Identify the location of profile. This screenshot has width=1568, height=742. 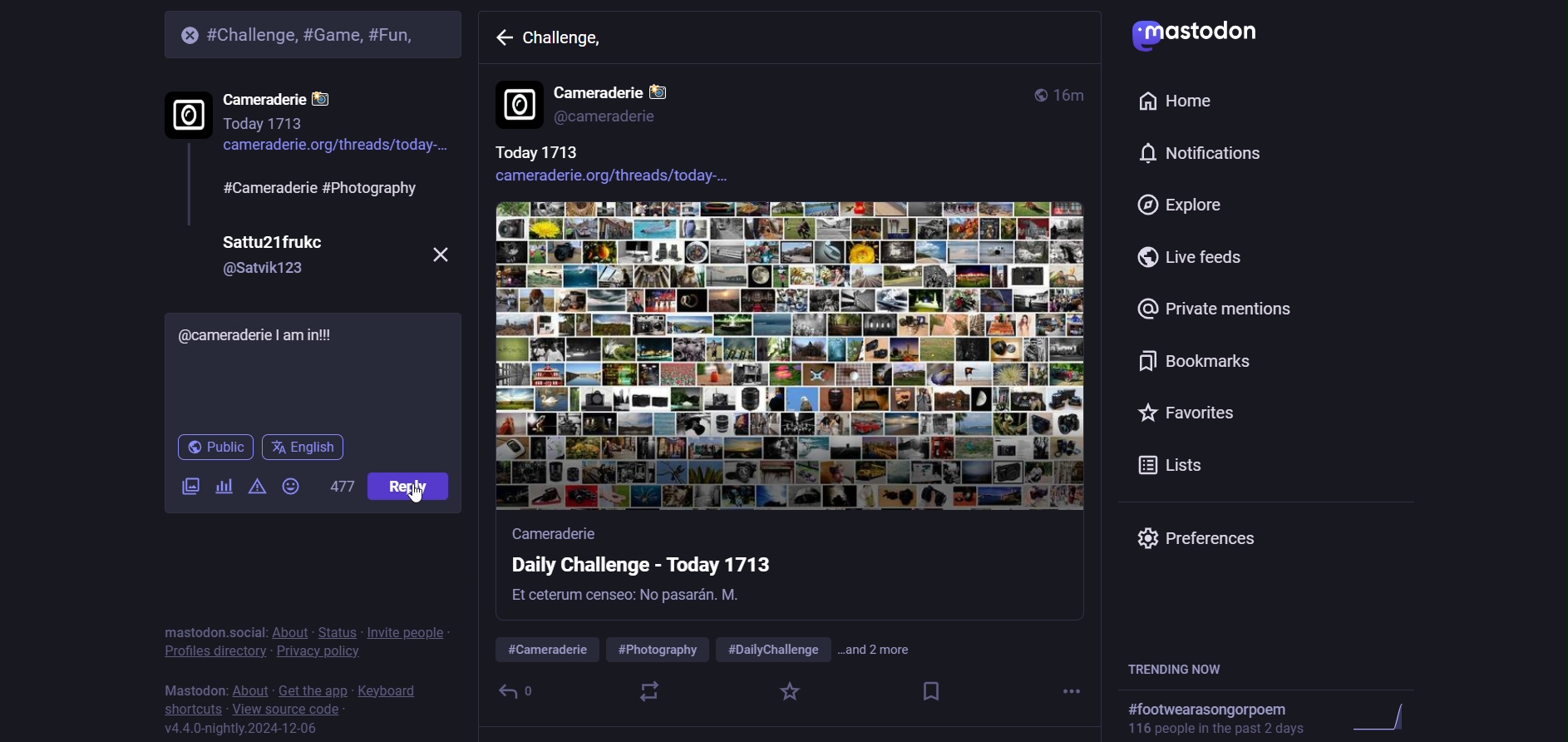
(214, 651).